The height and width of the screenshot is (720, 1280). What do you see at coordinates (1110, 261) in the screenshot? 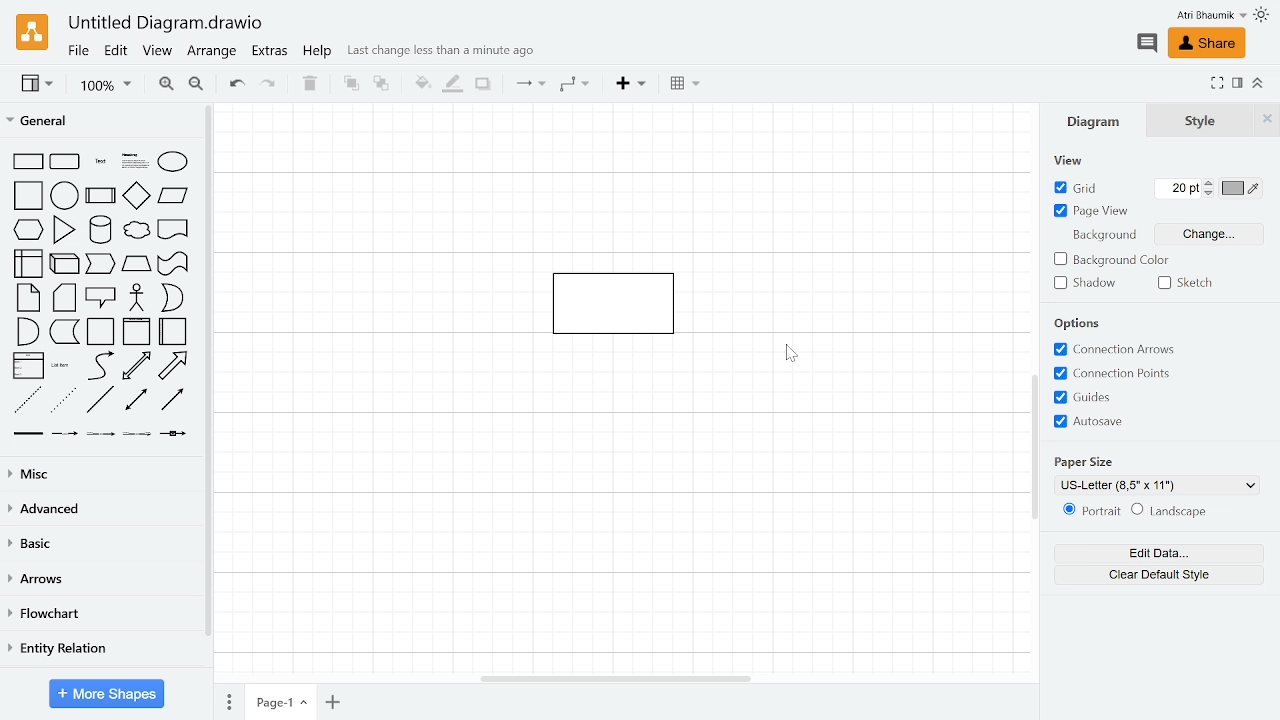
I see `background color` at bounding box center [1110, 261].